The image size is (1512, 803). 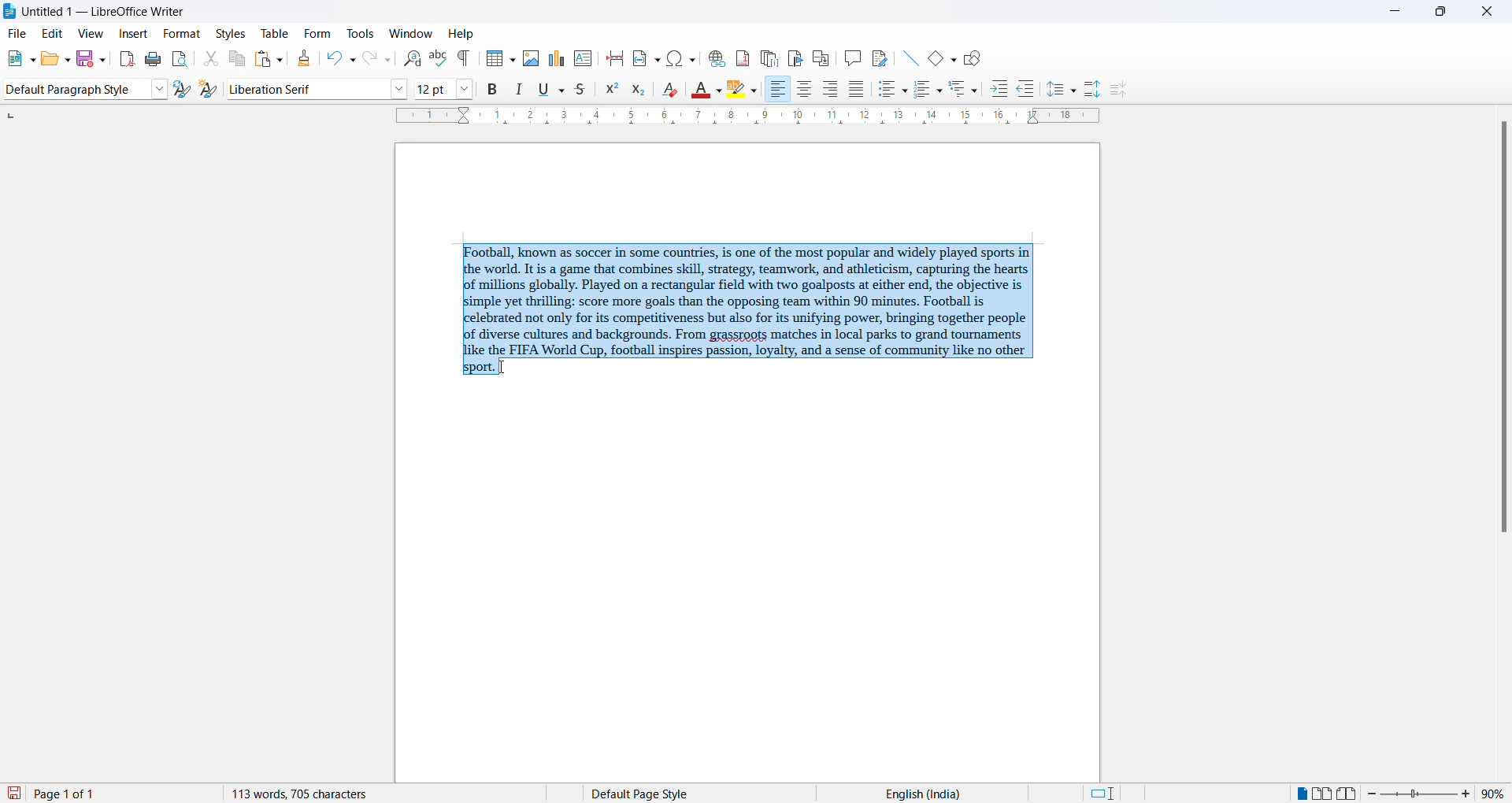 What do you see at coordinates (125, 60) in the screenshot?
I see `export as pdf` at bounding box center [125, 60].